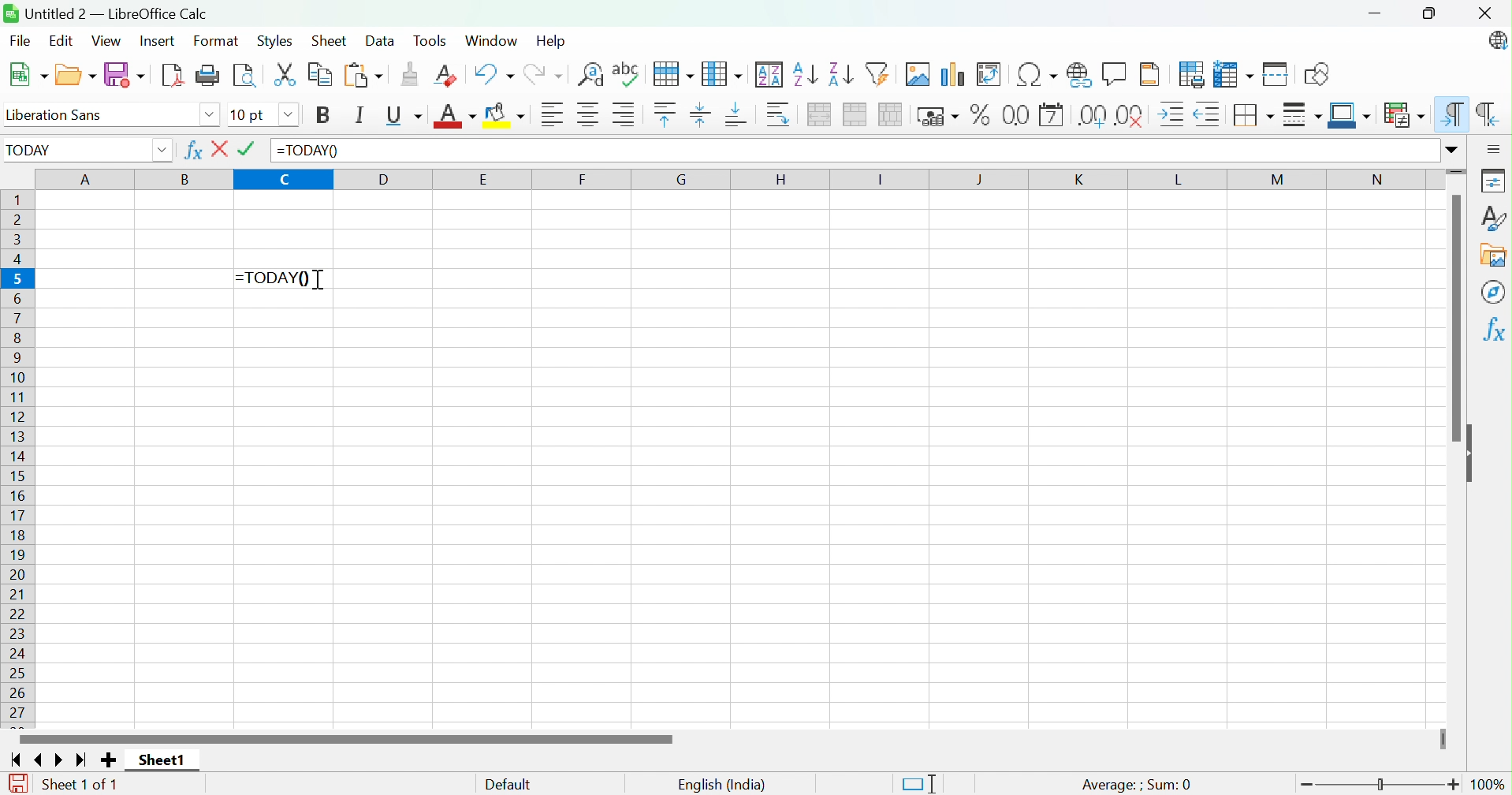  Describe the element at coordinates (783, 115) in the screenshot. I see `Wrap text` at that location.